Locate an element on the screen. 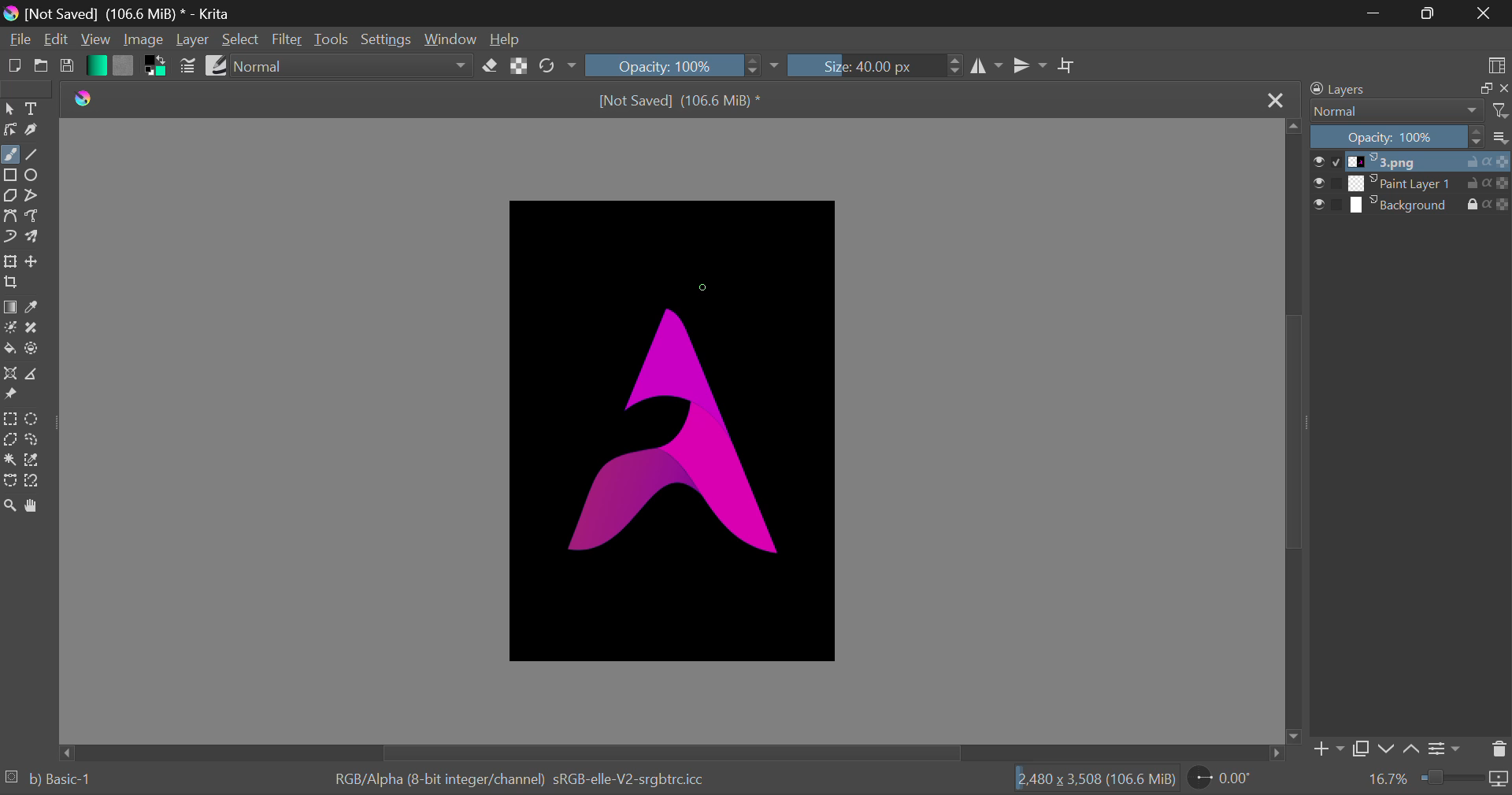 The height and width of the screenshot is (795, 1512). Reference Images is located at coordinates (13, 397).